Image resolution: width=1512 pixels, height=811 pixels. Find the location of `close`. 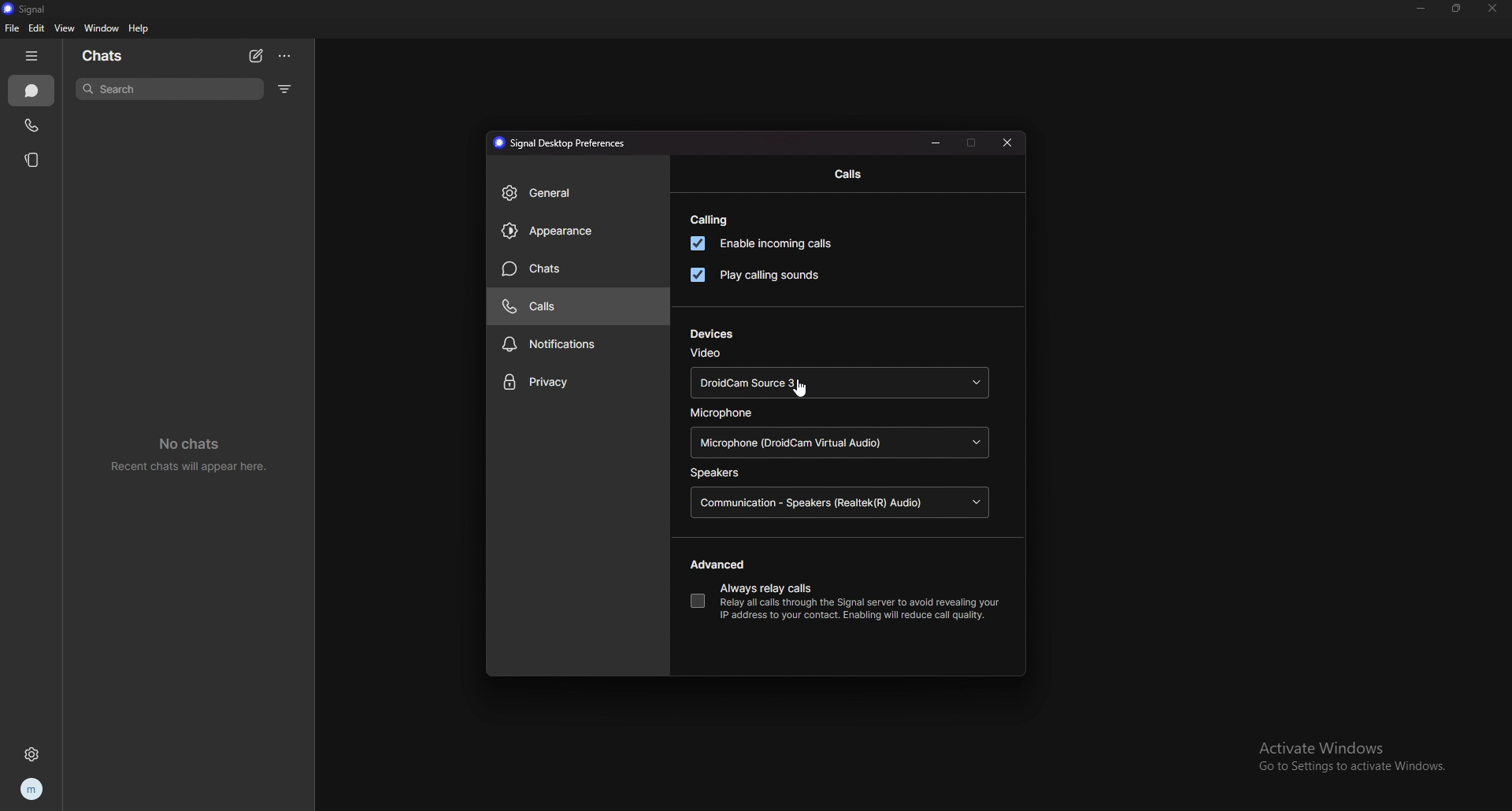

close is located at coordinates (1491, 9).